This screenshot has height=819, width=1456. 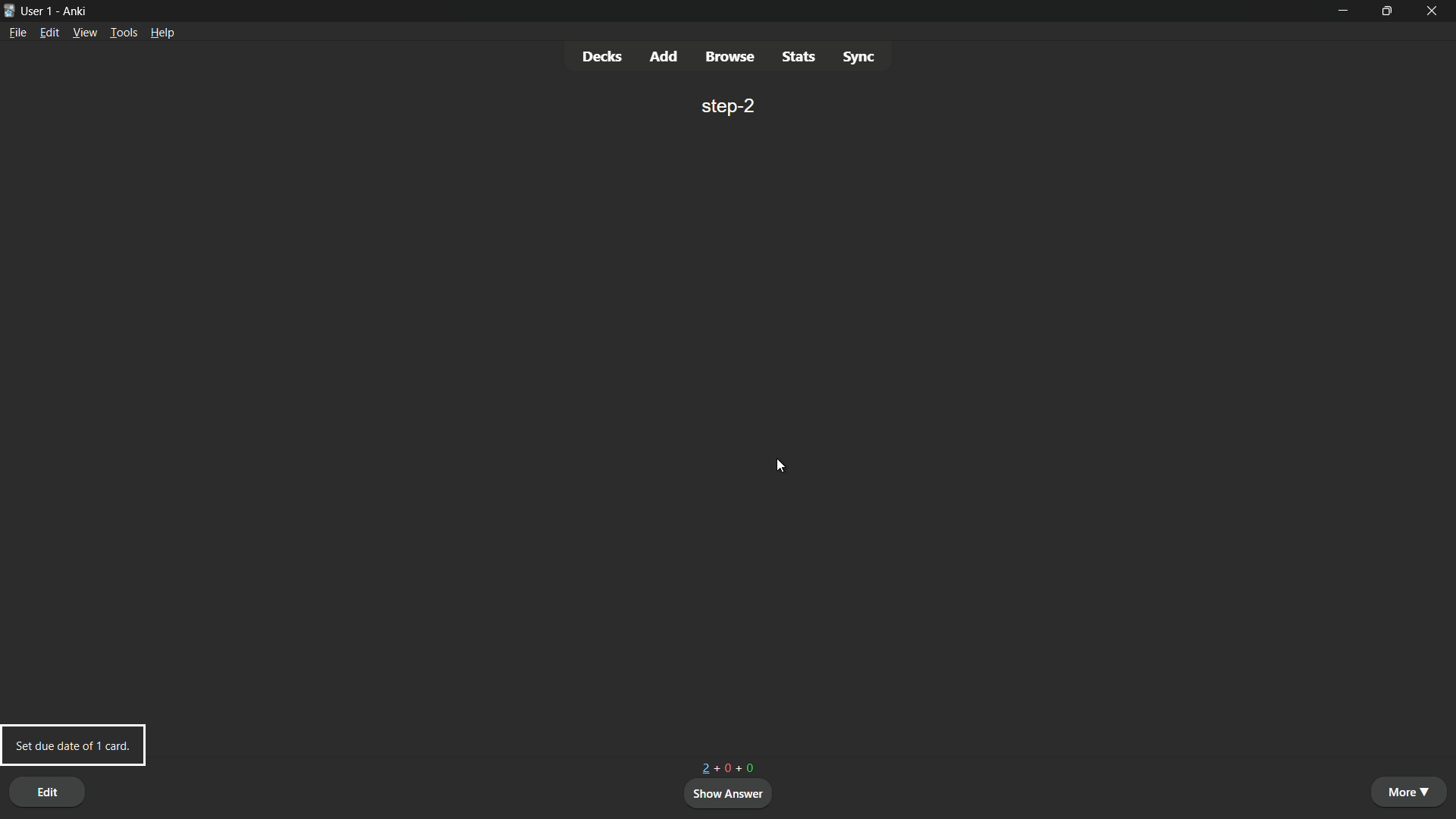 What do you see at coordinates (730, 794) in the screenshot?
I see `show answer` at bounding box center [730, 794].